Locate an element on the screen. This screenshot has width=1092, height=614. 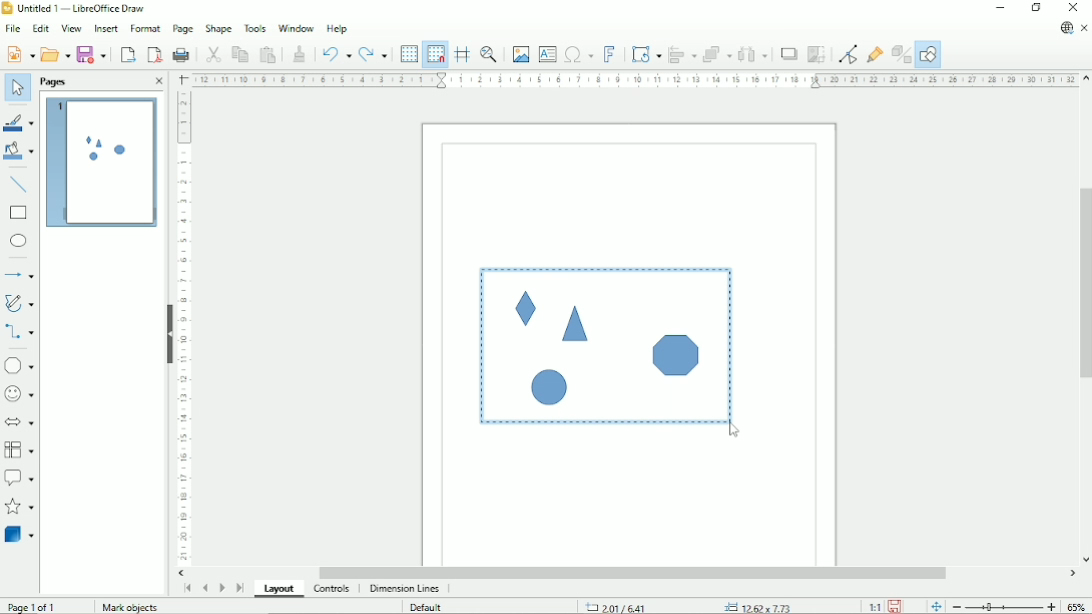
Select is located at coordinates (15, 87).